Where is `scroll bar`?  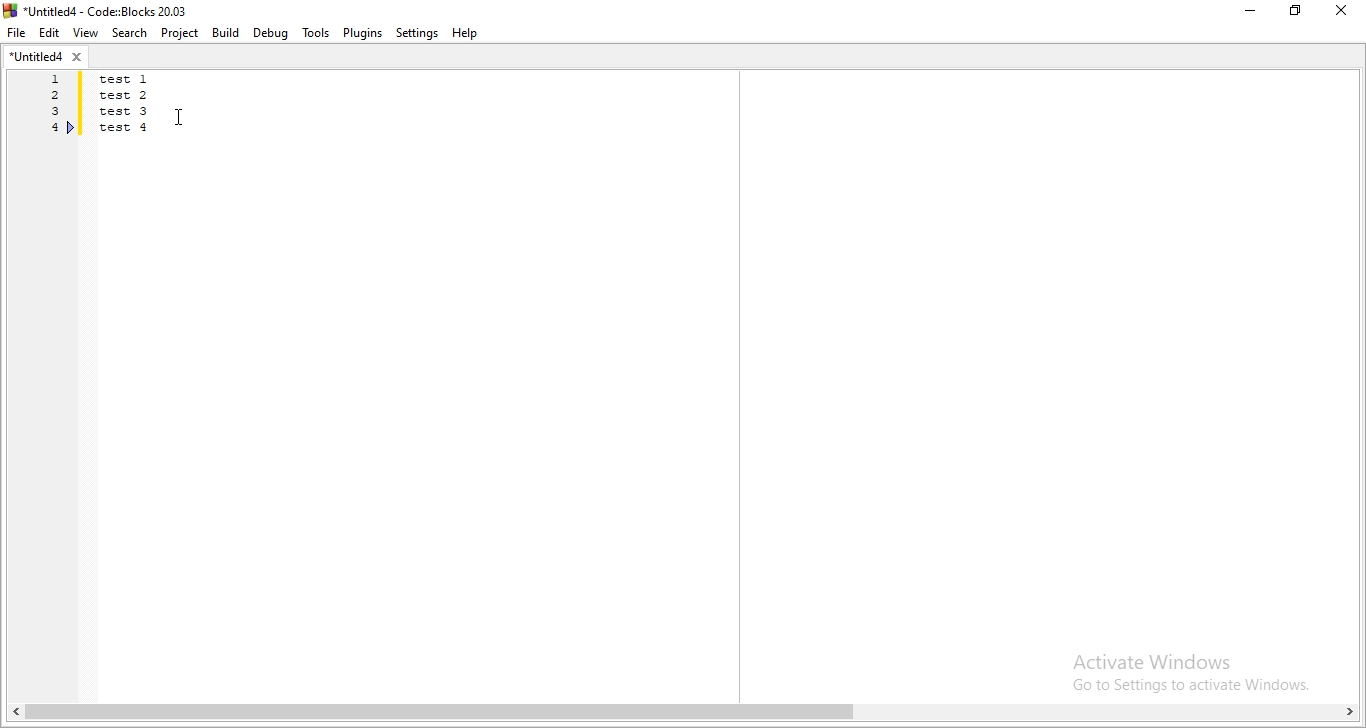 scroll bar is located at coordinates (683, 714).